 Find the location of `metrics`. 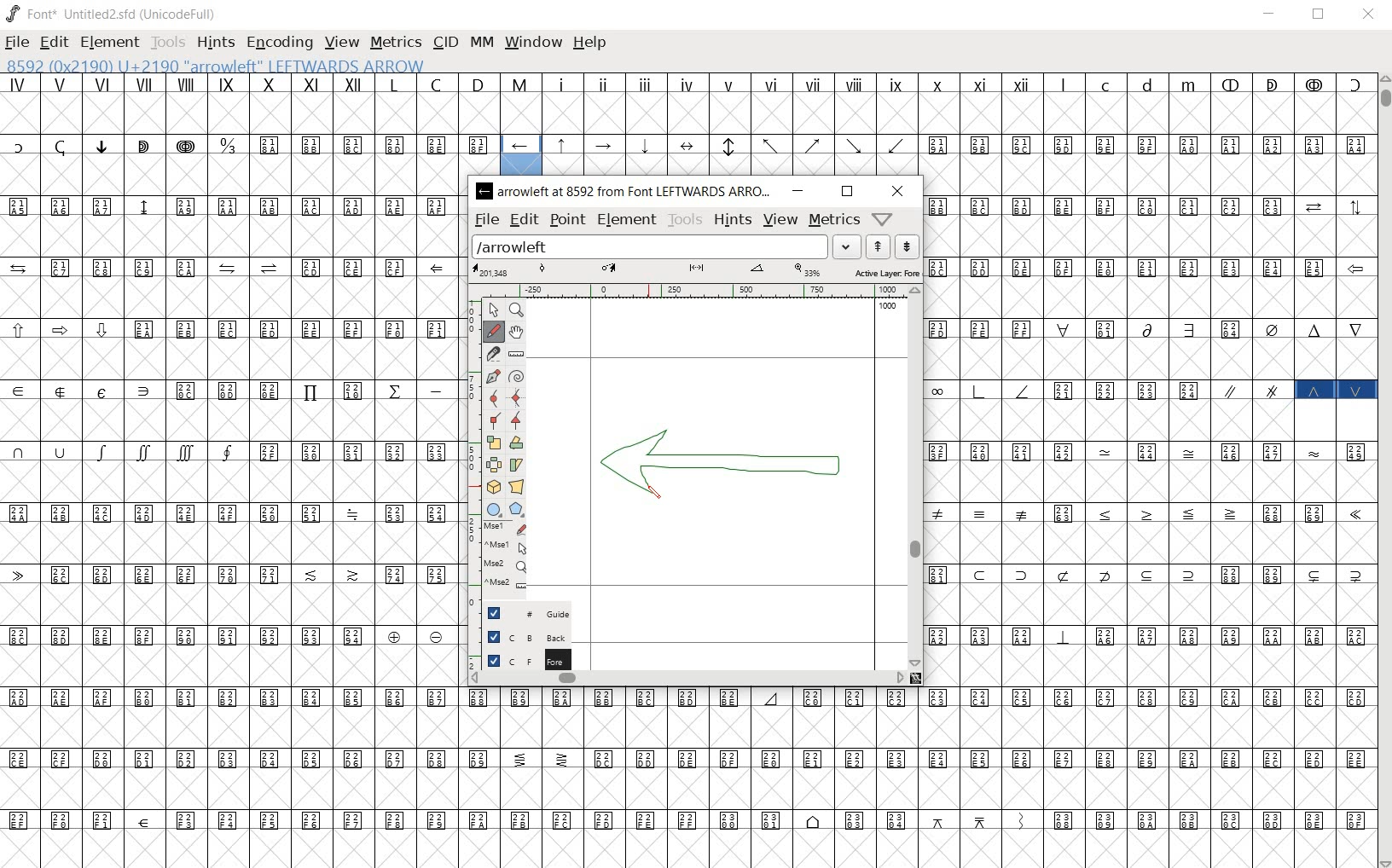

metrics is located at coordinates (395, 43).